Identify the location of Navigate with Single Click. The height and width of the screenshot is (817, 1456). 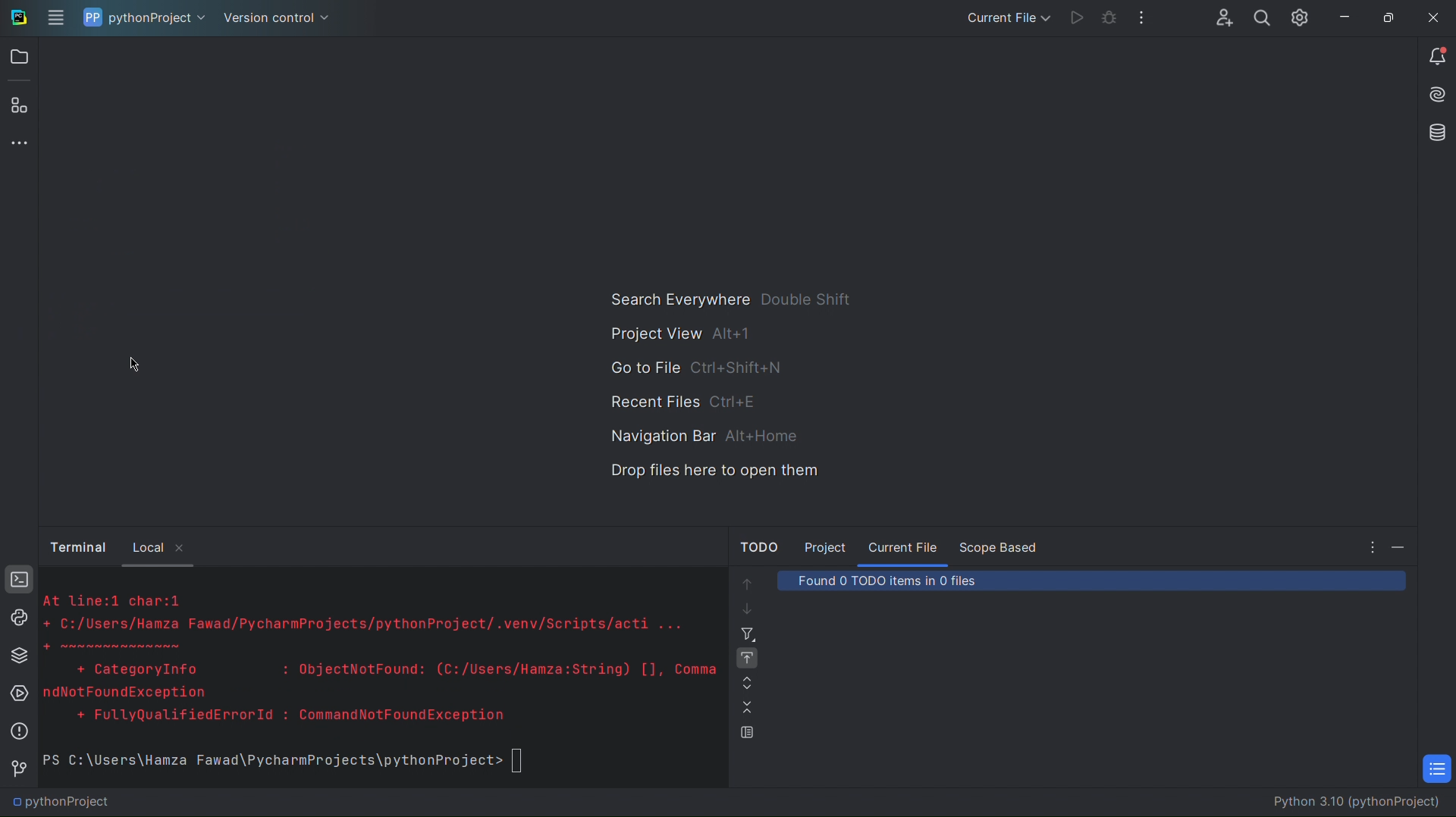
(745, 660).